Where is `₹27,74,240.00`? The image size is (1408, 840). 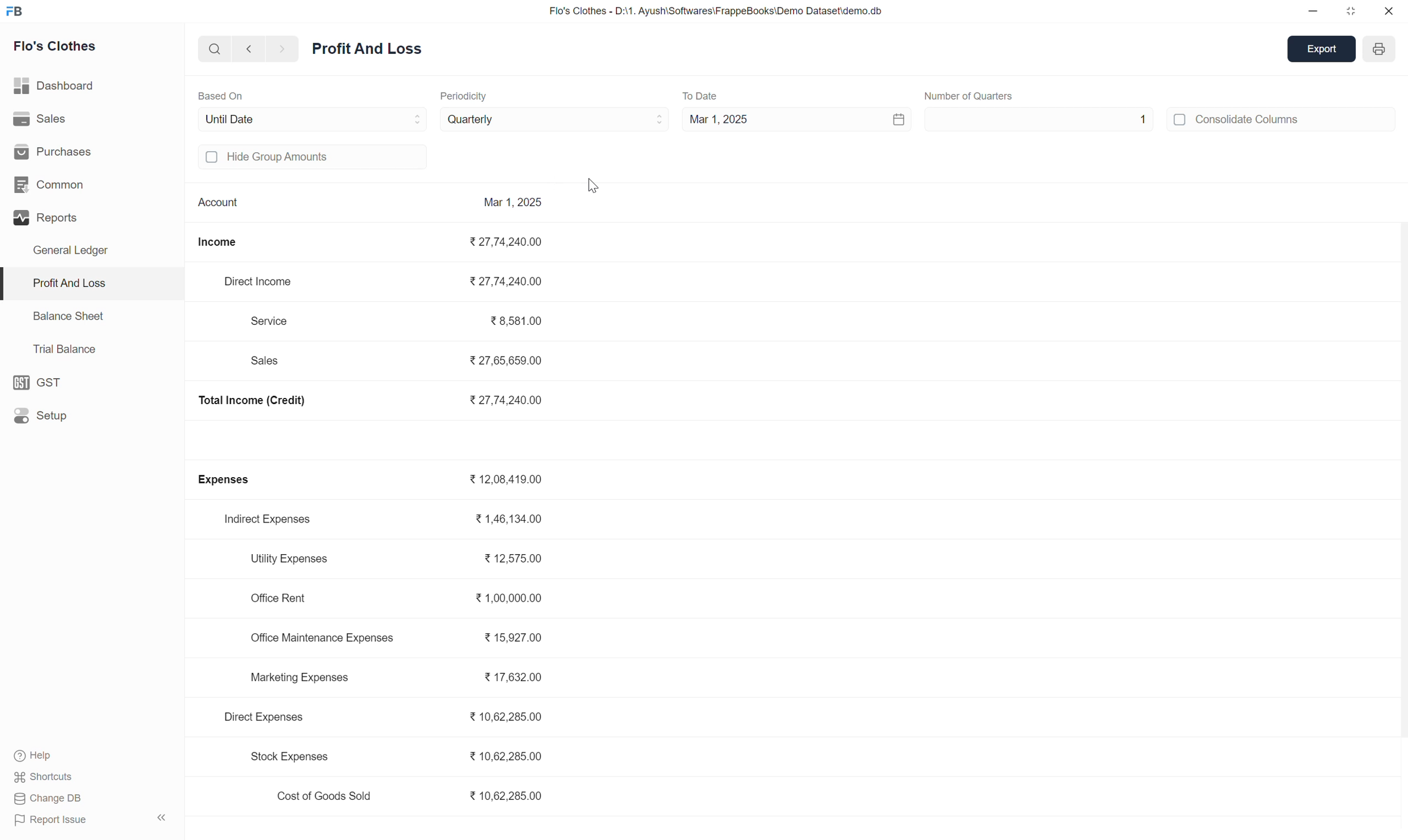 ₹27,74,240.00 is located at coordinates (512, 282).